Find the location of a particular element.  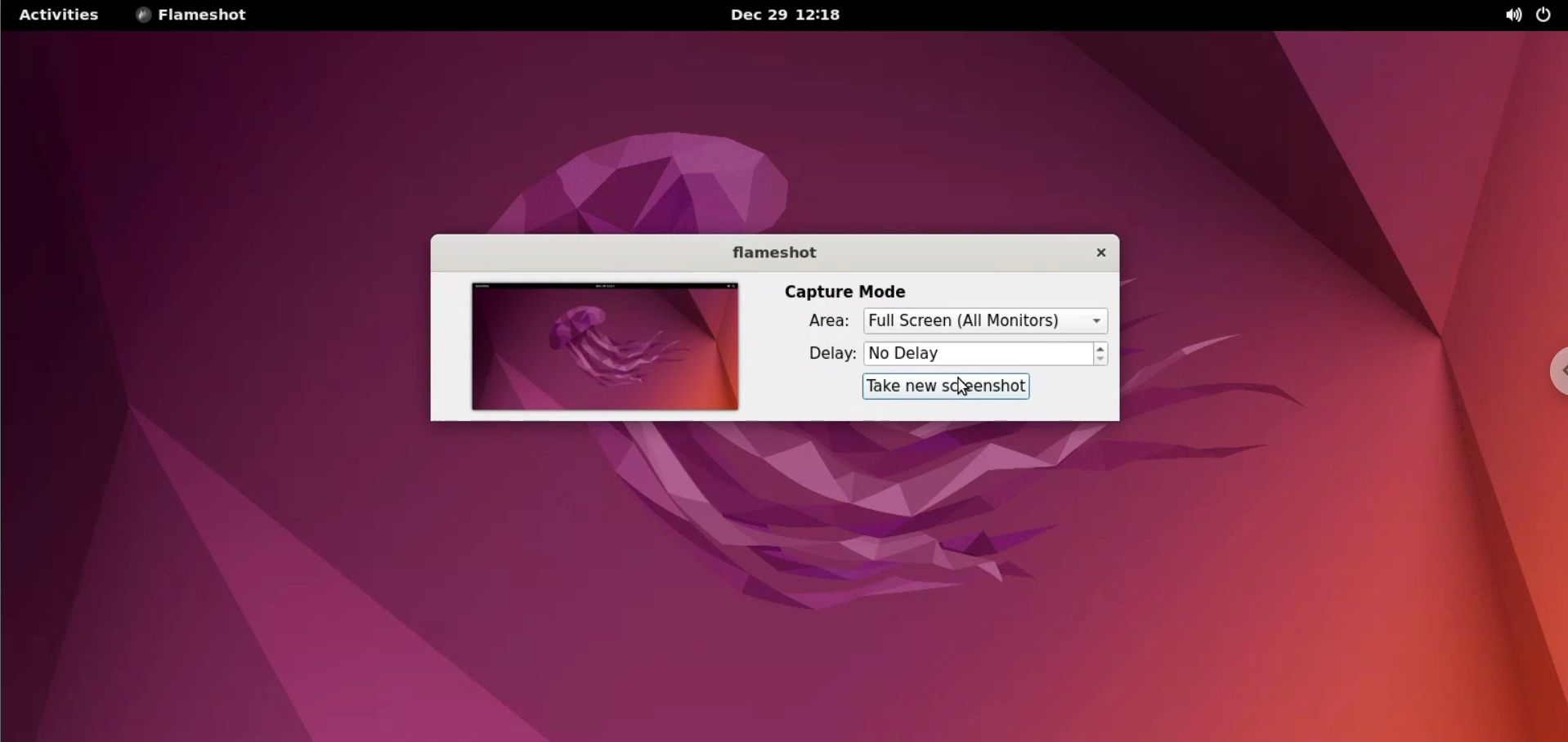

flameshot options is located at coordinates (198, 16).